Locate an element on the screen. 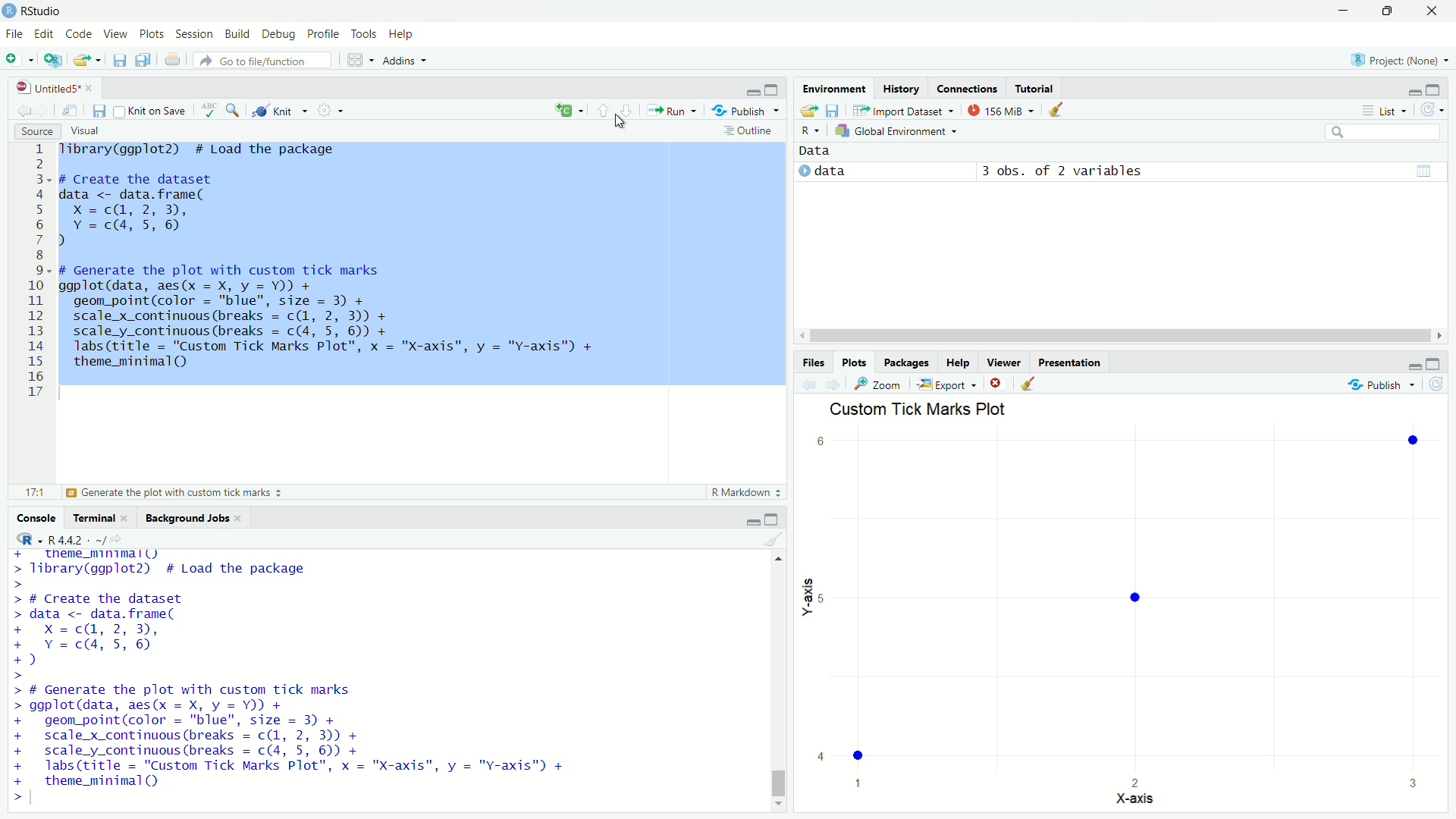 Image resolution: width=1456 pixels, height=819 pixels. minimize is located at coordinates (751, 92).